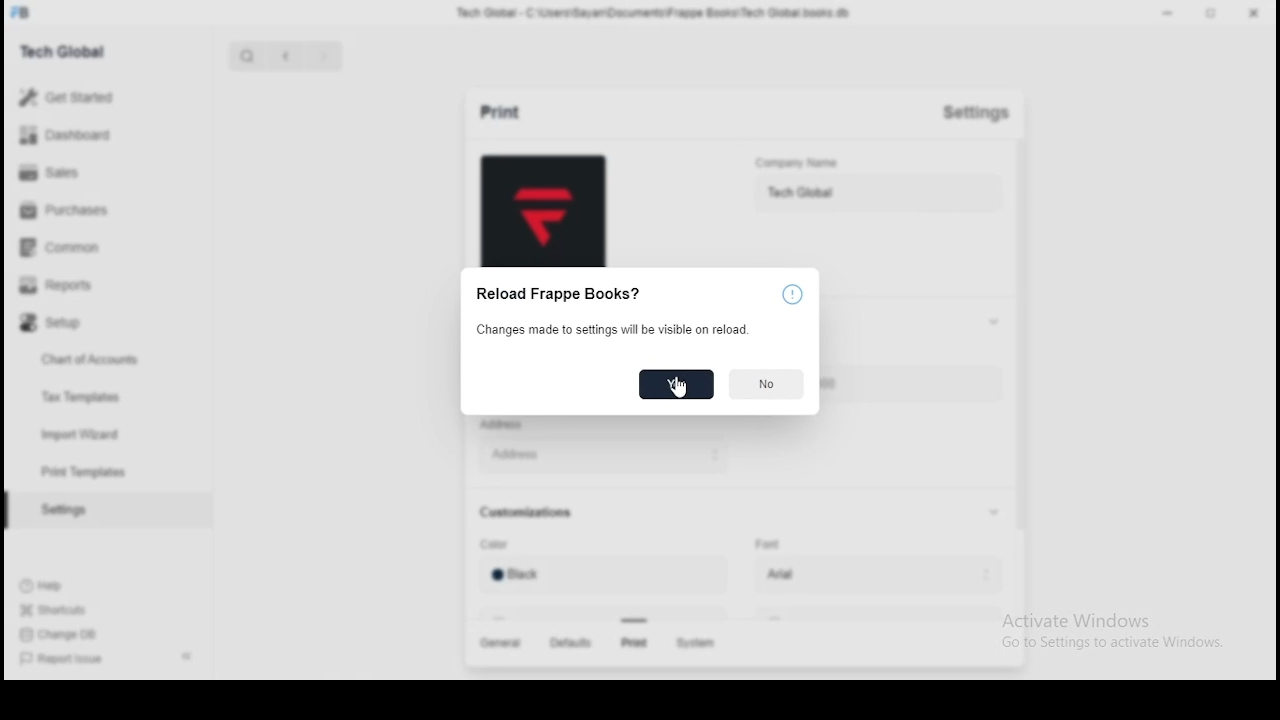 The height and width of the screenshot is (720, 1280). I want to click on Print, so click(496, 111).